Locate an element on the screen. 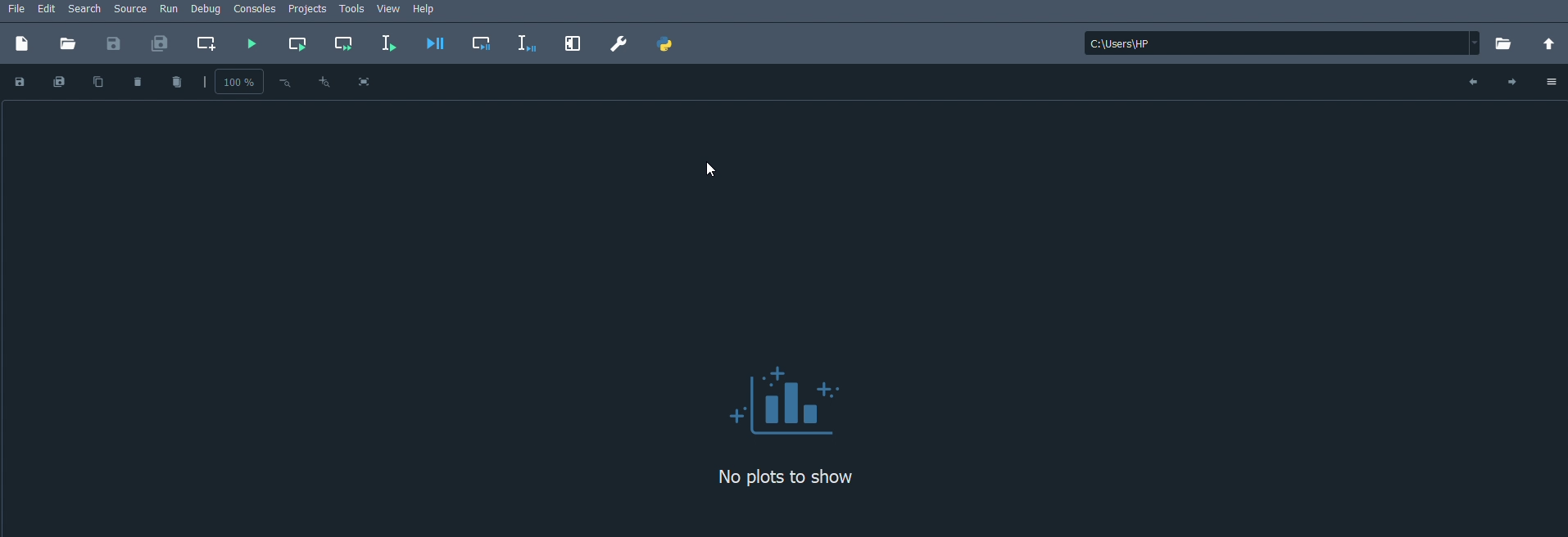 The height and width of the screenshot is (537, 1568). Debug file is located at coordinates (436, 43).